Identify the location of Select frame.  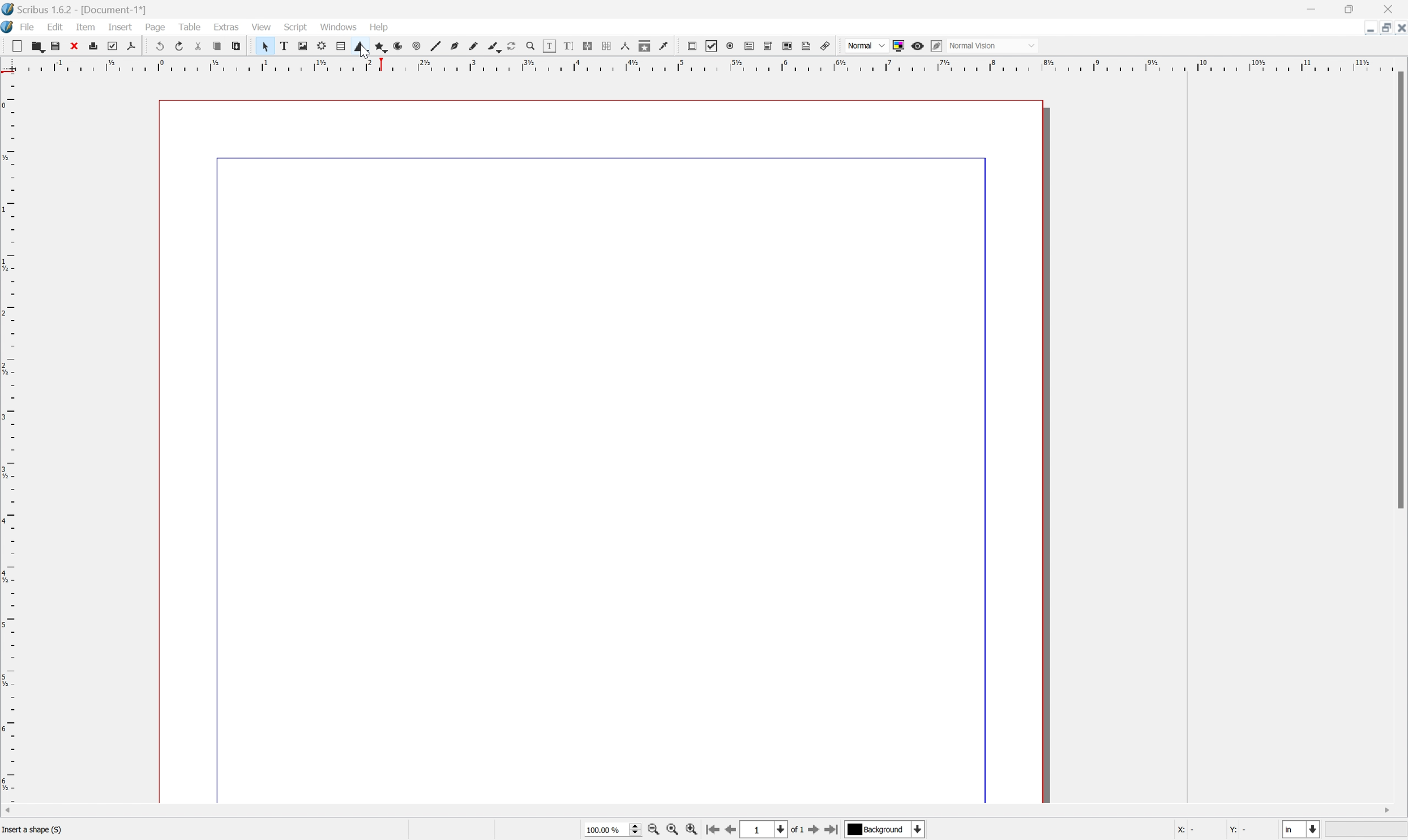
(267, 48).